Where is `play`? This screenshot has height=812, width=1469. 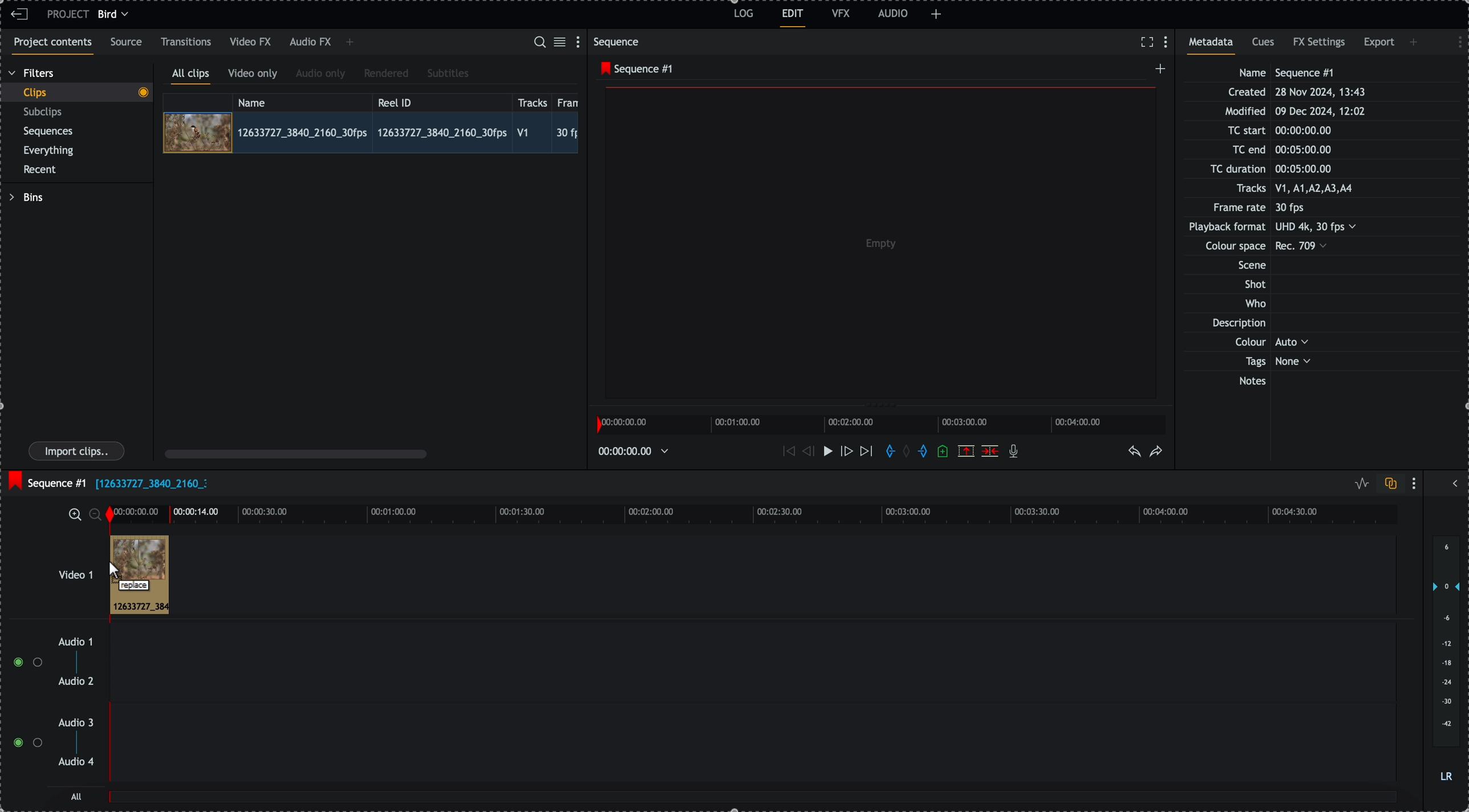 play is located at coordinates (824, 452).